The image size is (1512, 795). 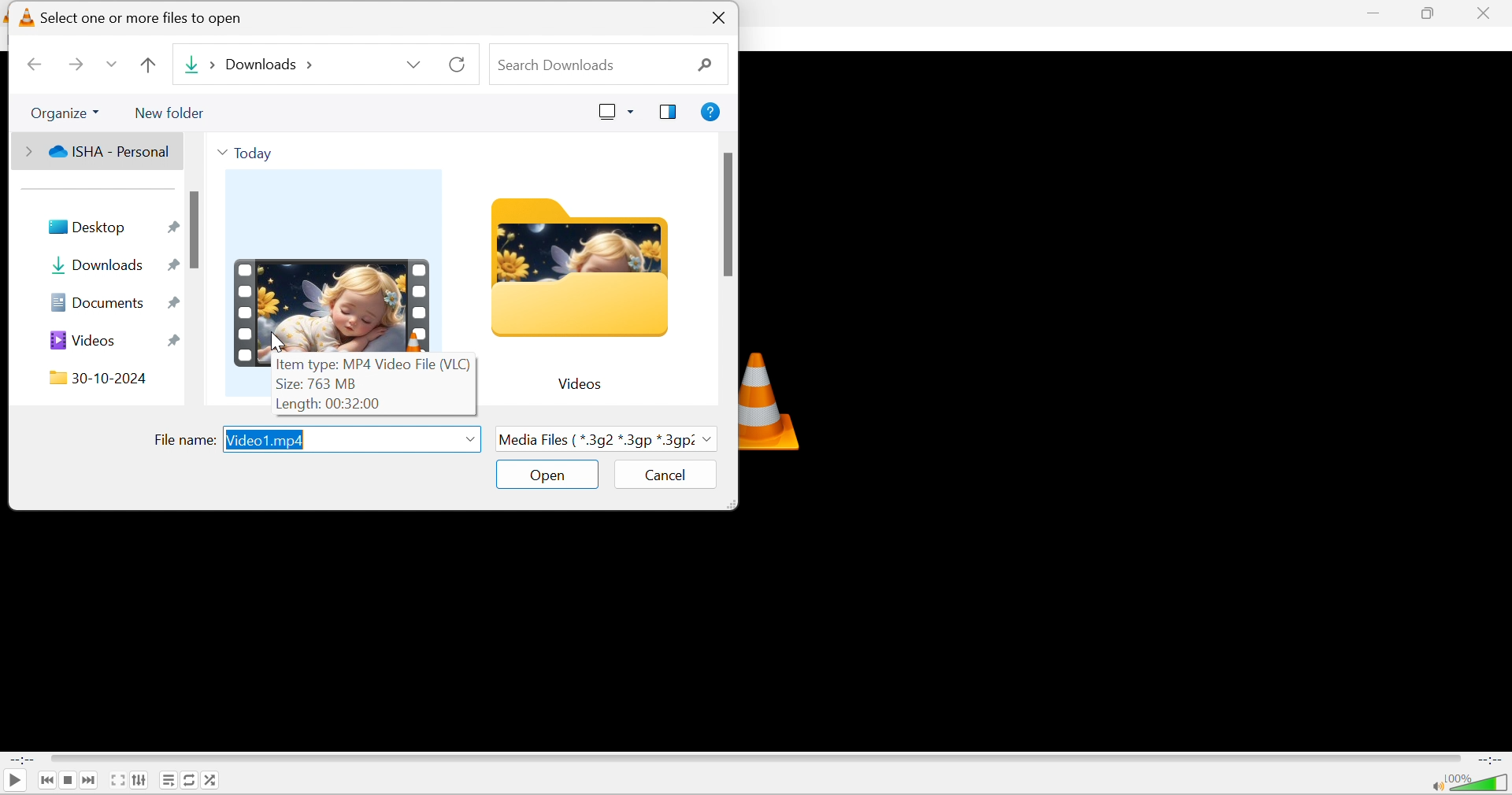 I want to click on File name:, so click(x=185, y=442).